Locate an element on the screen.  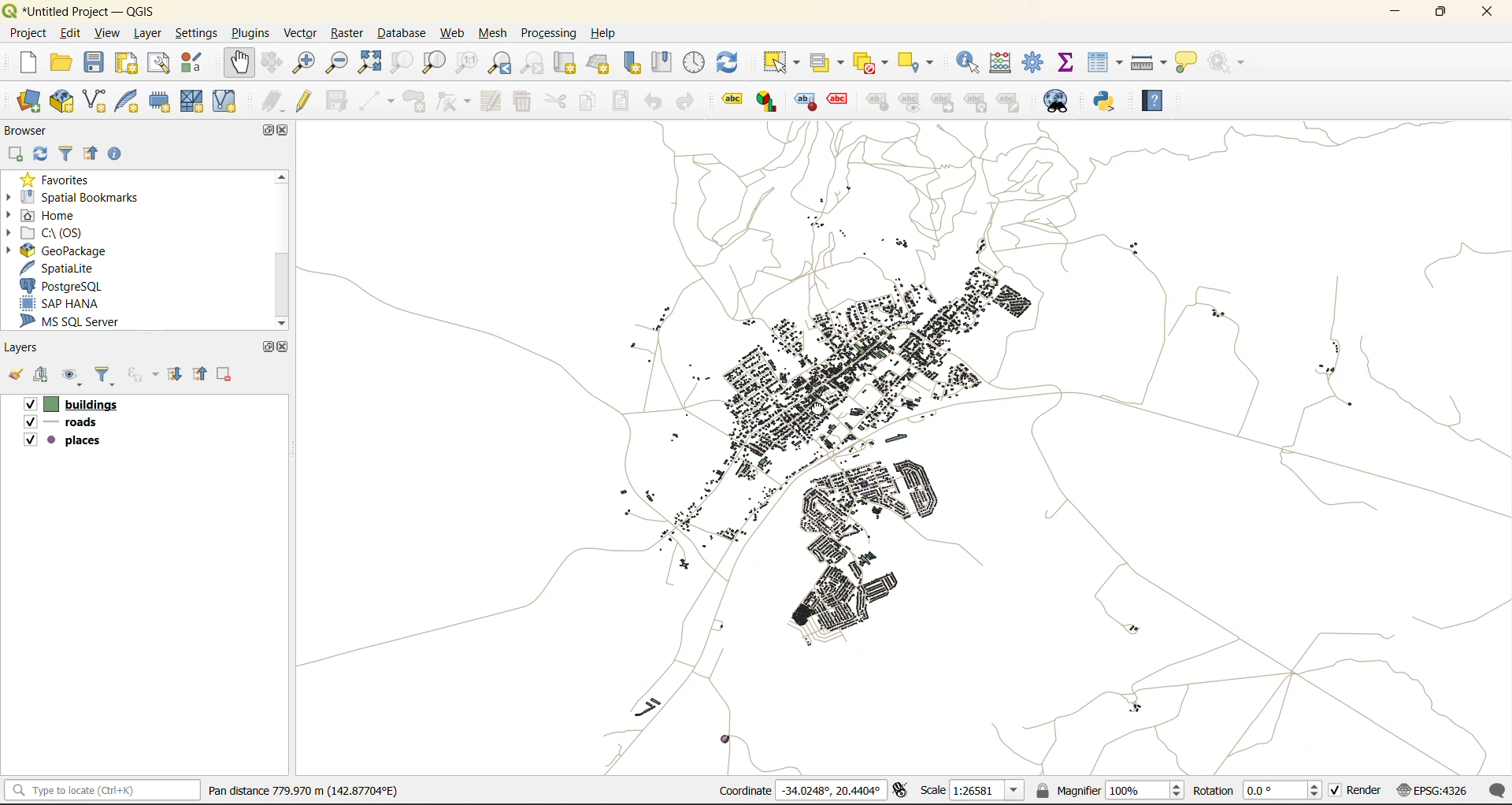
new spatial bookmark is located at coordinates (632, 65).